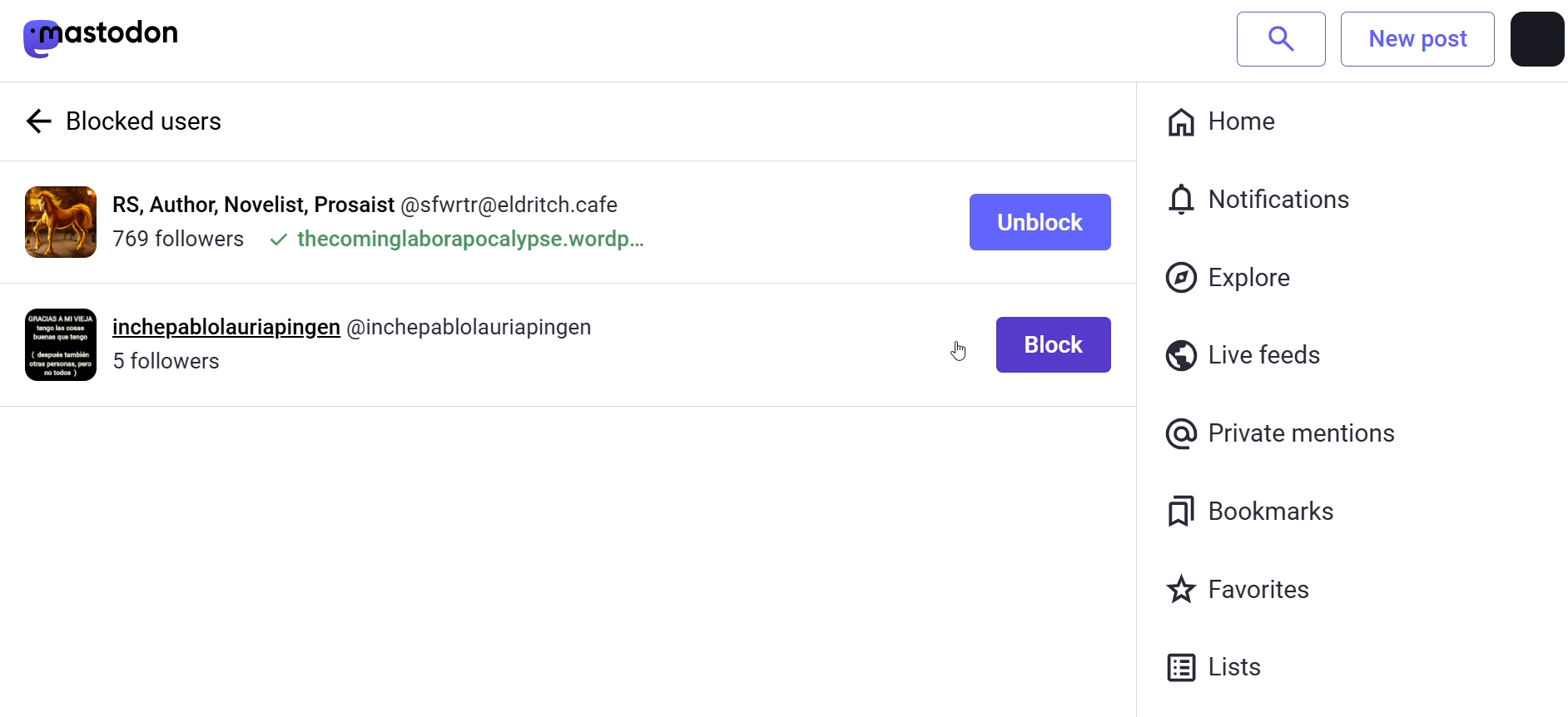 Image resolution: width=1568 pixels, height=717 pixels. What do you see at coordinates (103, 37) in the screenshot?
I see `mastodon` at bounding box center [103, 37].